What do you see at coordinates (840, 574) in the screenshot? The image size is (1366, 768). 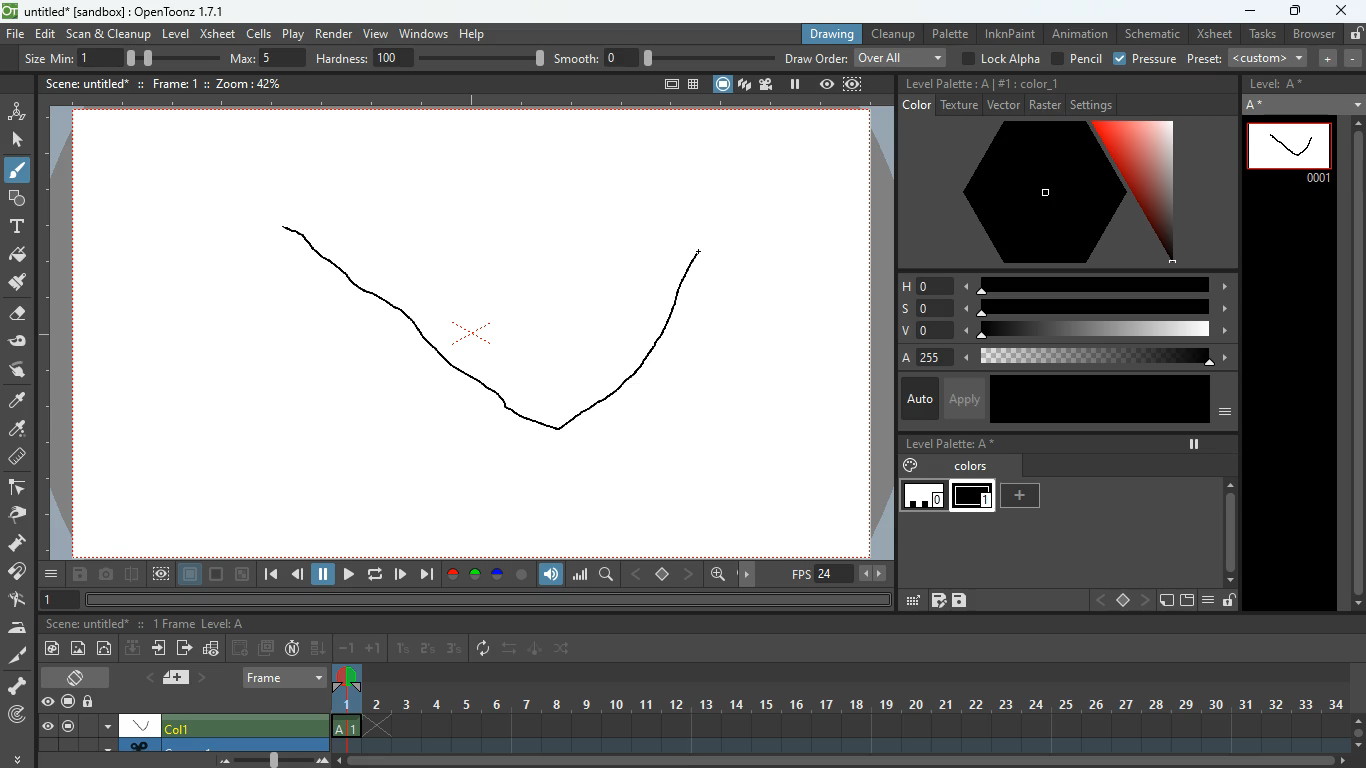 I see `fps` at bounding box center [840, 574].